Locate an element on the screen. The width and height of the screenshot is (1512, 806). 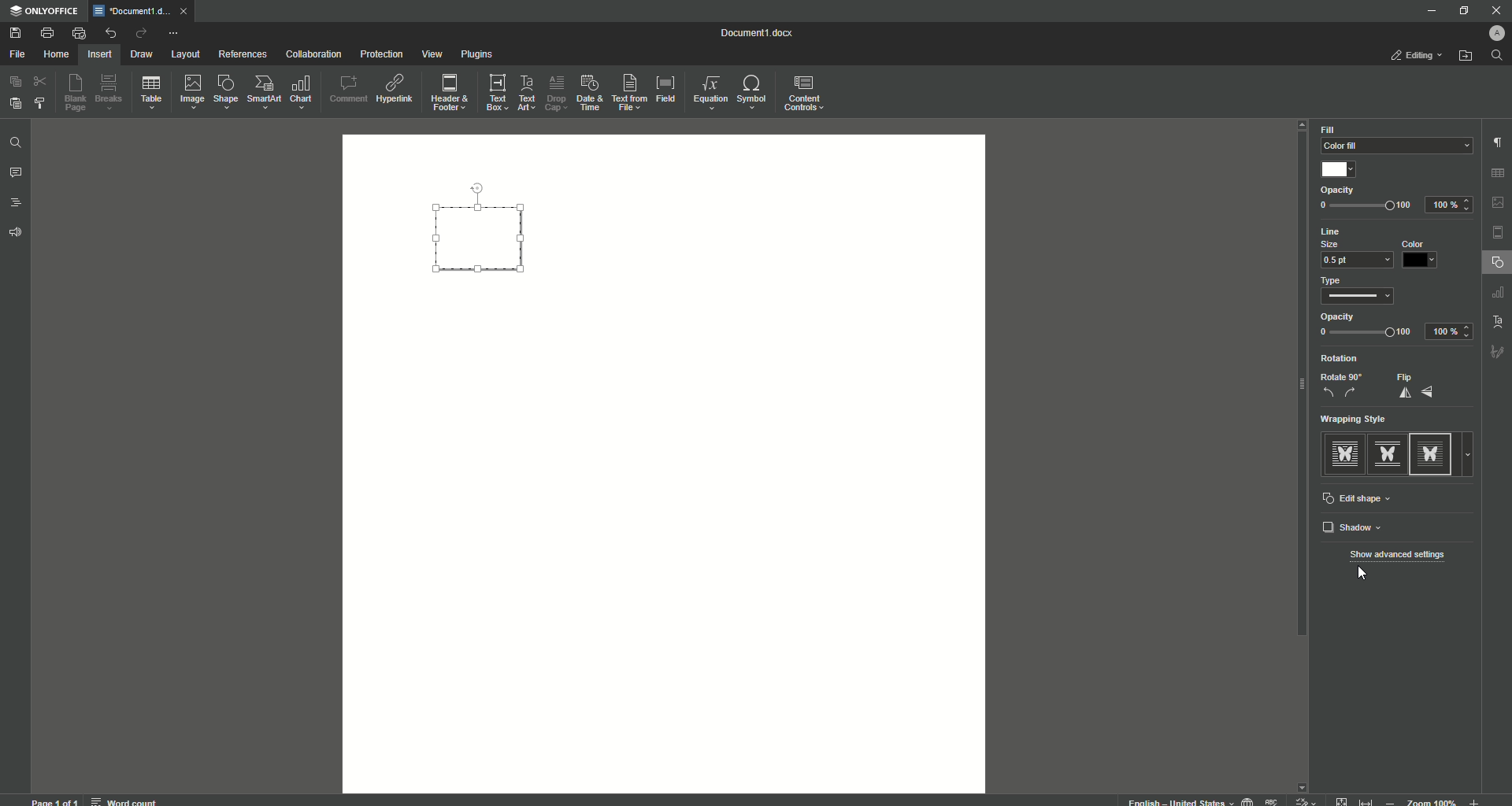
fit to width is located at coordinates (1369, 800).